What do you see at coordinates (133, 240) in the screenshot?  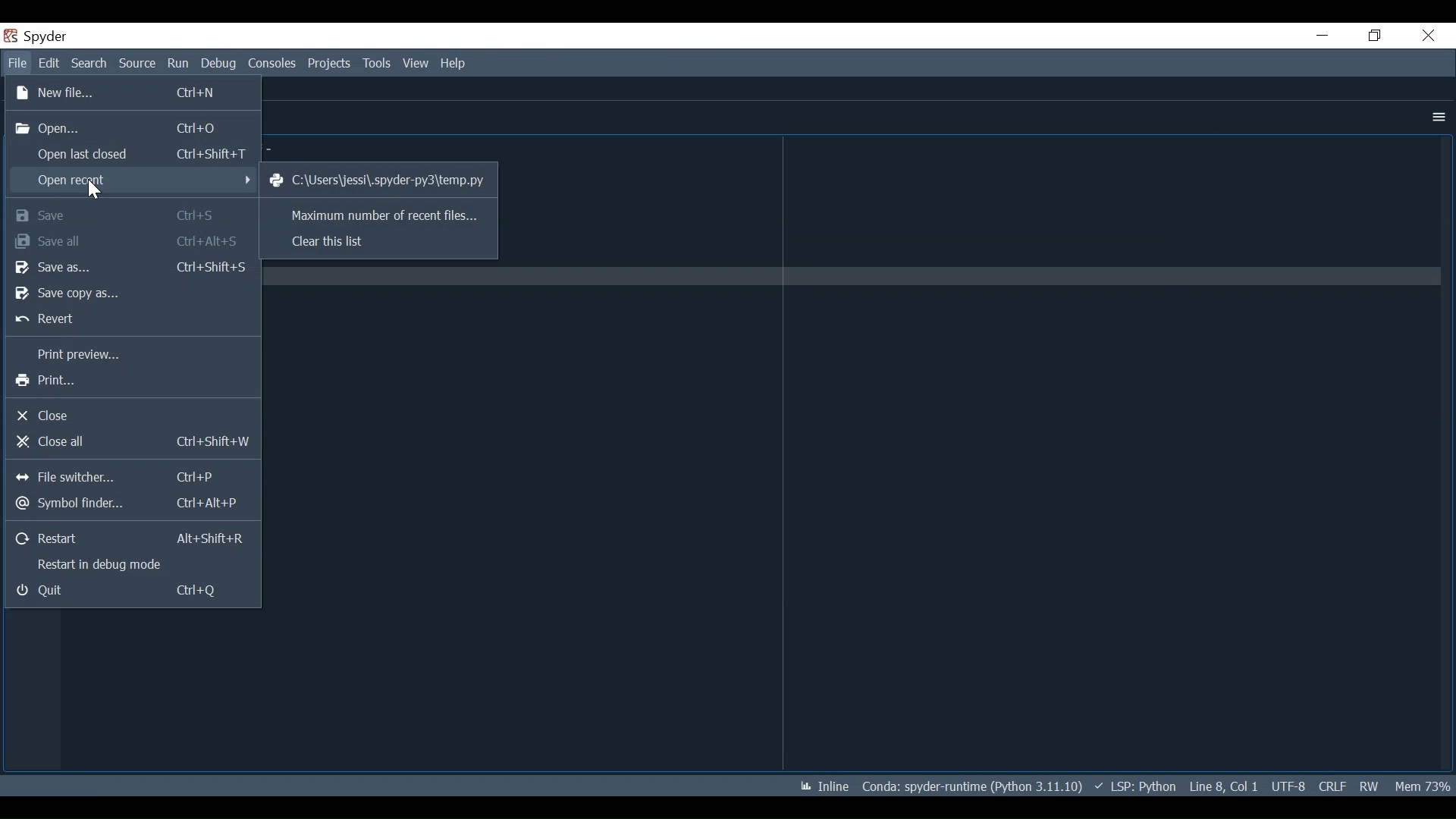 I see `Save all` at bounding box center [133, 240].